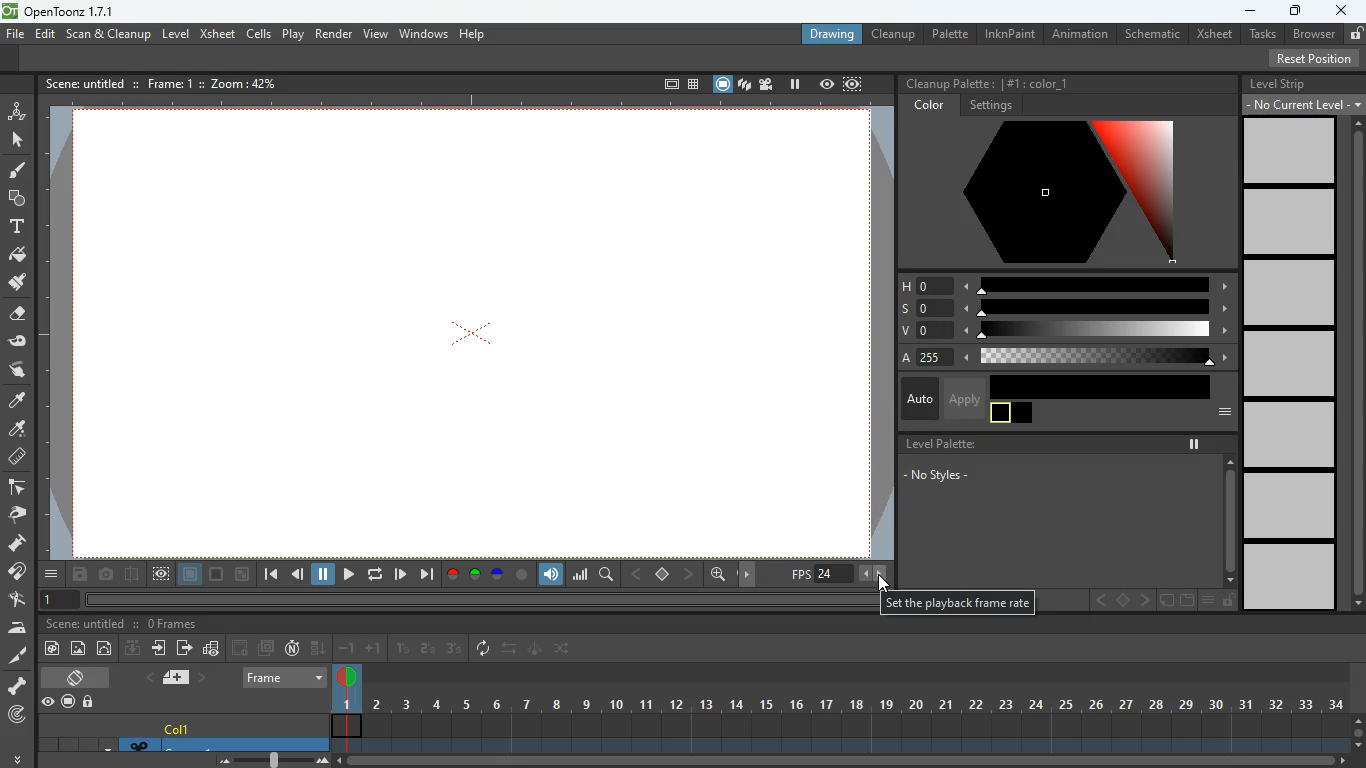 The width and height of the screenshot is (1366, 768). Describe the element at coordinates (188, 574) in the screenshot. I see `frame` at that location.